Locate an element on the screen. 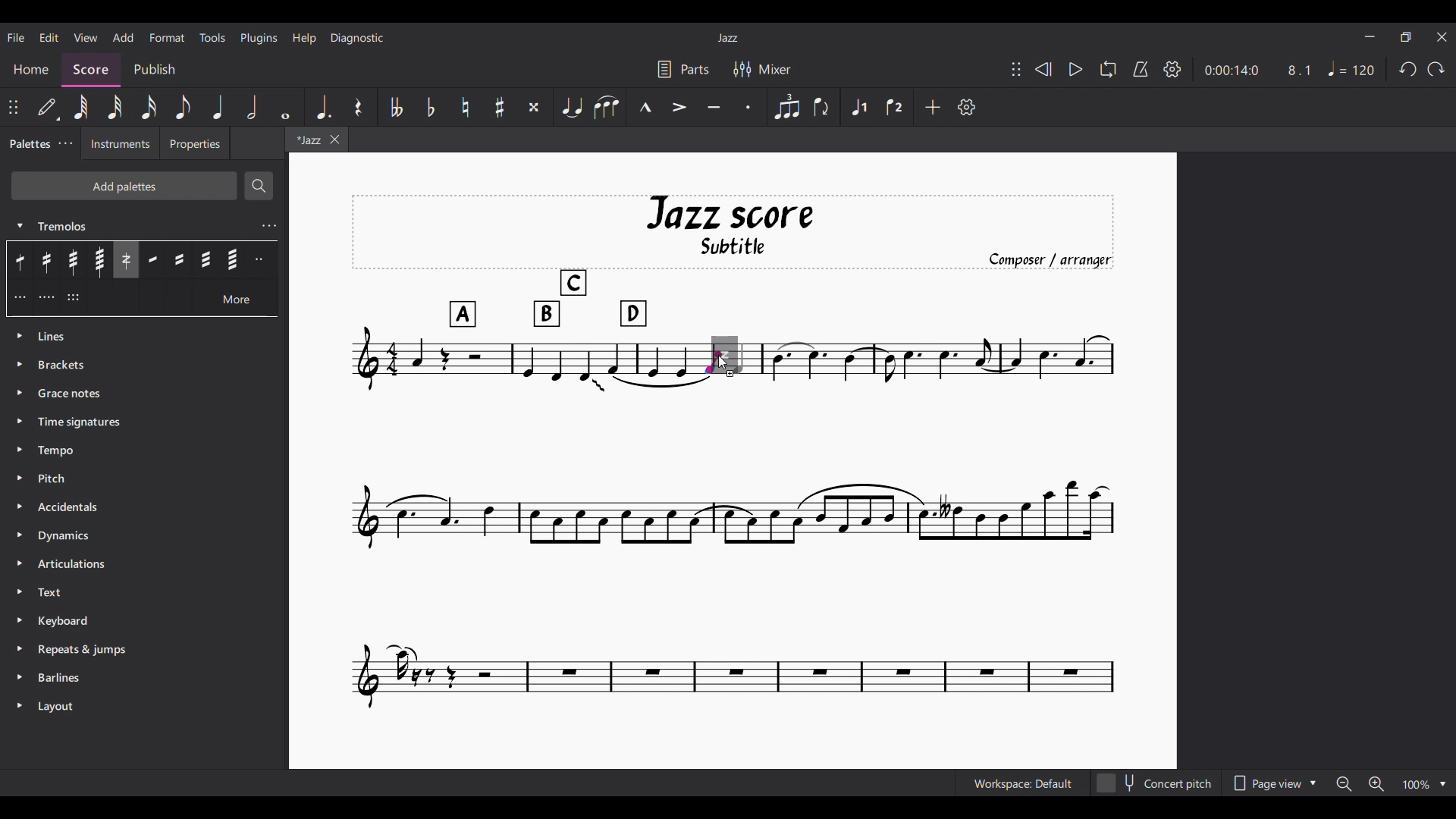 The image size is (1456, 819). Buzz roll, selection highlighted is located at coordinates (125, 260).